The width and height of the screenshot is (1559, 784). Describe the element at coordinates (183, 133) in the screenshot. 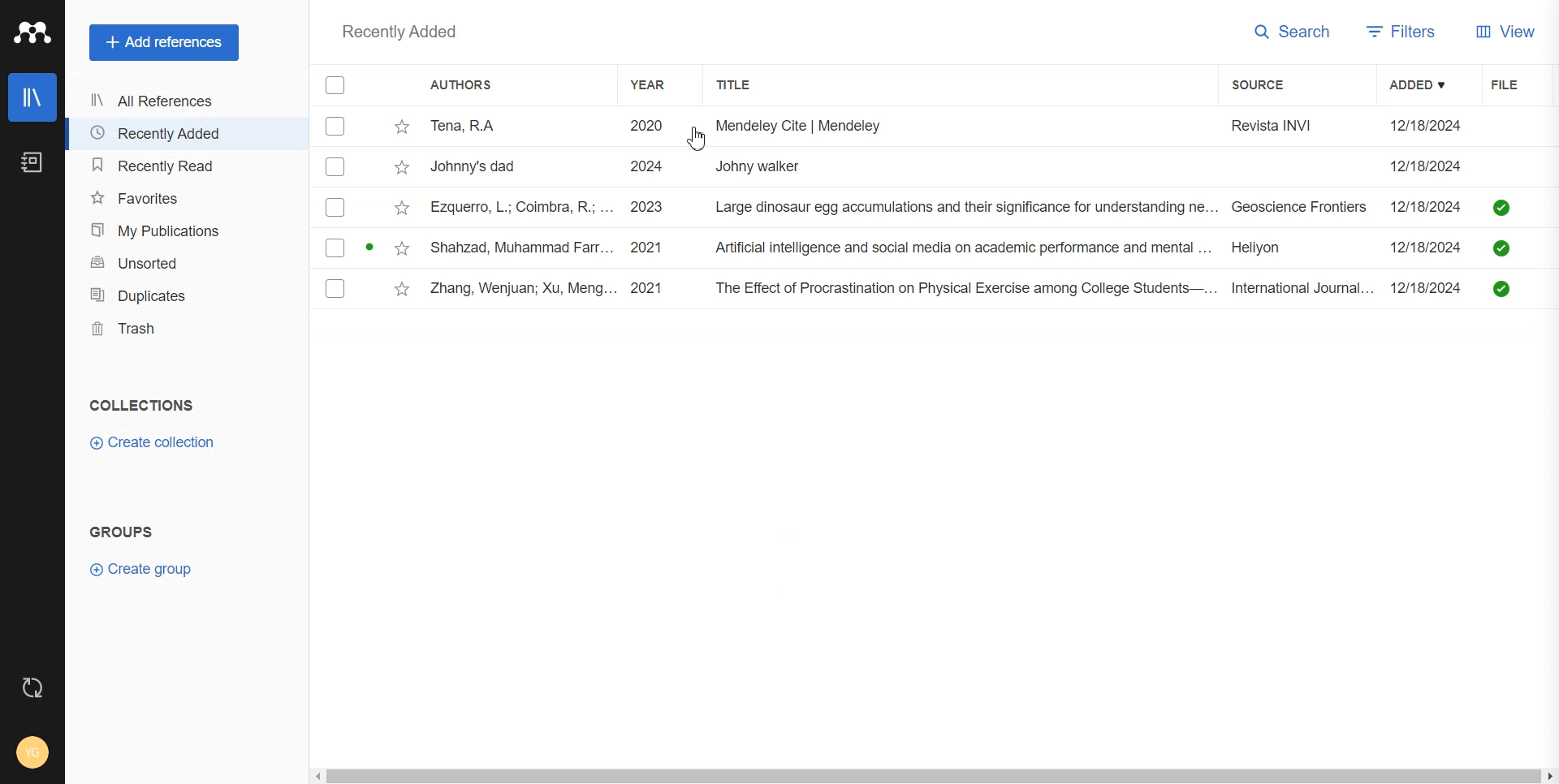

I see `Recently Added` at that location.